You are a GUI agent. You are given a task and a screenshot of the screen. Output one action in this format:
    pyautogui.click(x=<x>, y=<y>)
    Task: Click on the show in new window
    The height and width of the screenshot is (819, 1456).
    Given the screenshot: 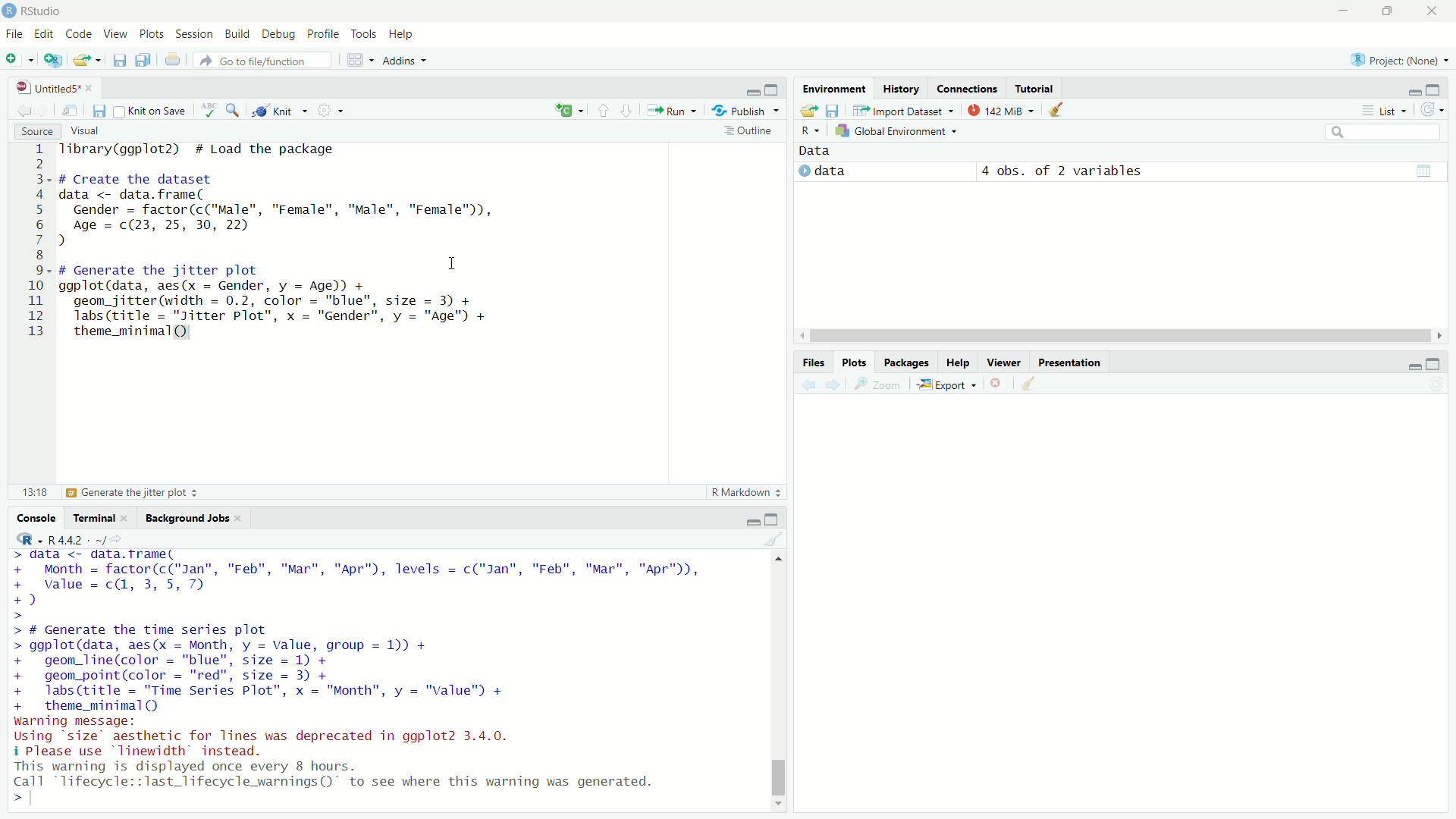 What is the action you would take?
    pyautogui.click(x=71, y=110)
    